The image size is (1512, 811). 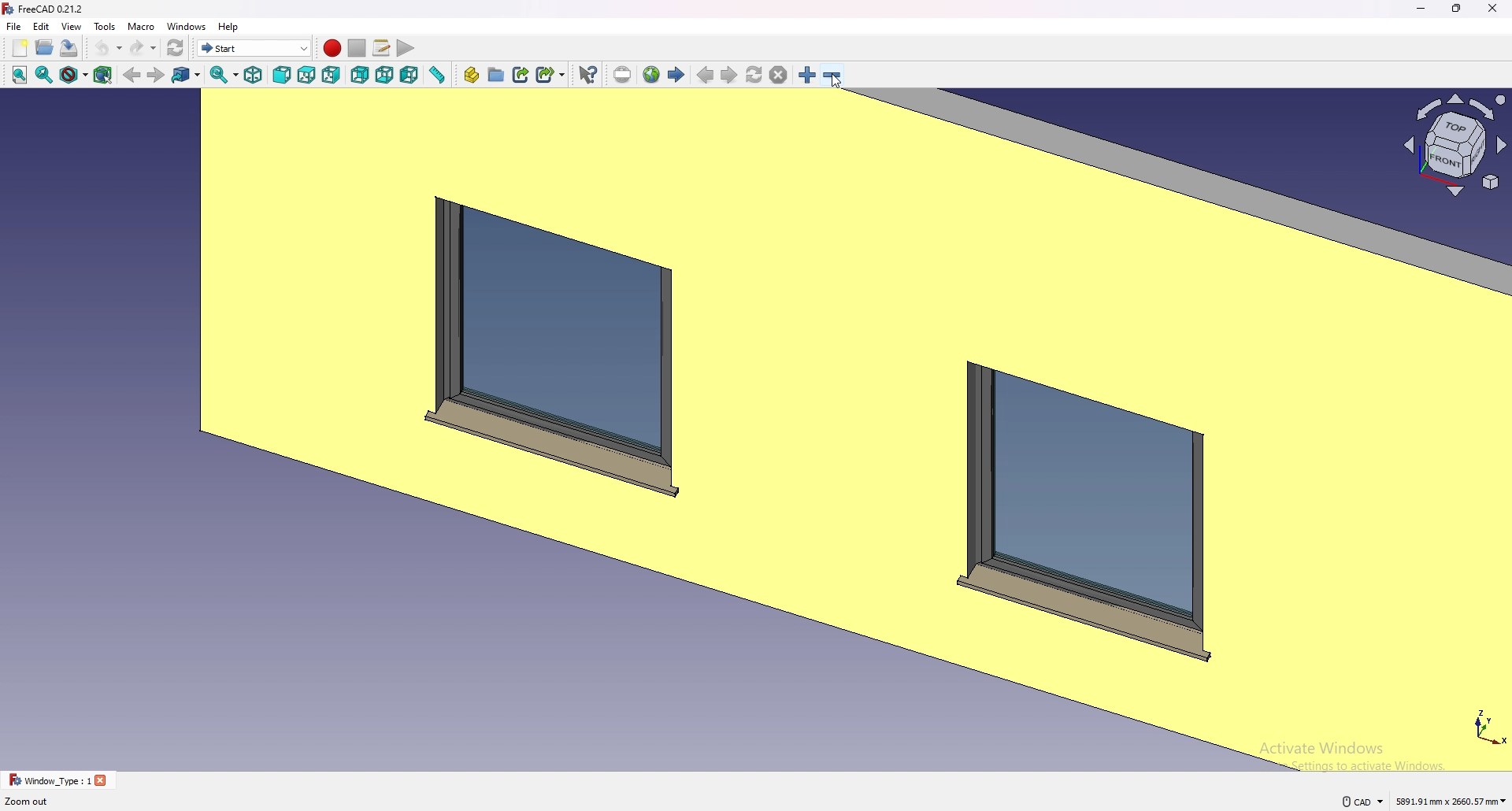 I want to click on resize, so click(x=1458, y=9).